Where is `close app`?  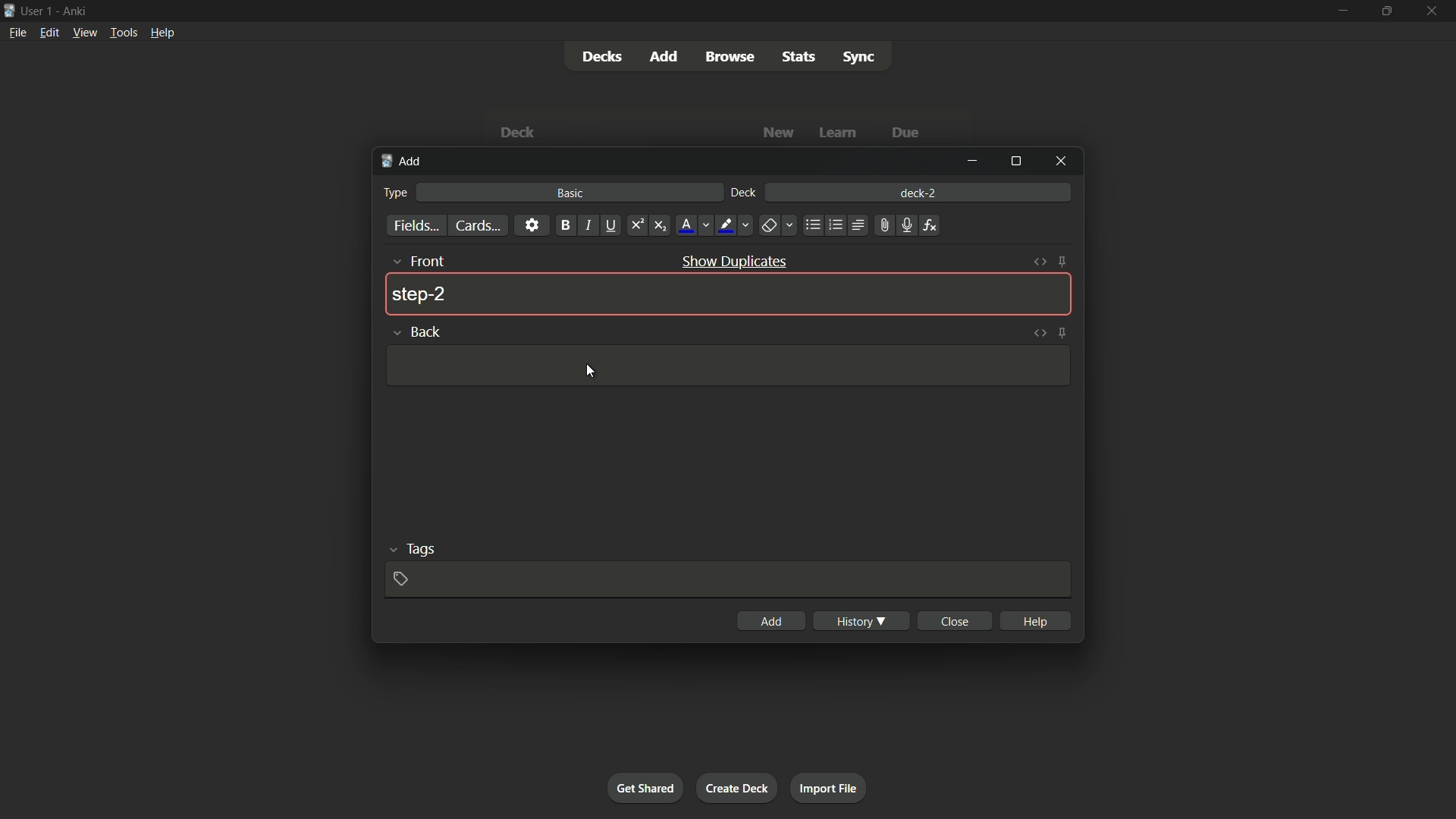
close app is located at coordinates (1432, 11).